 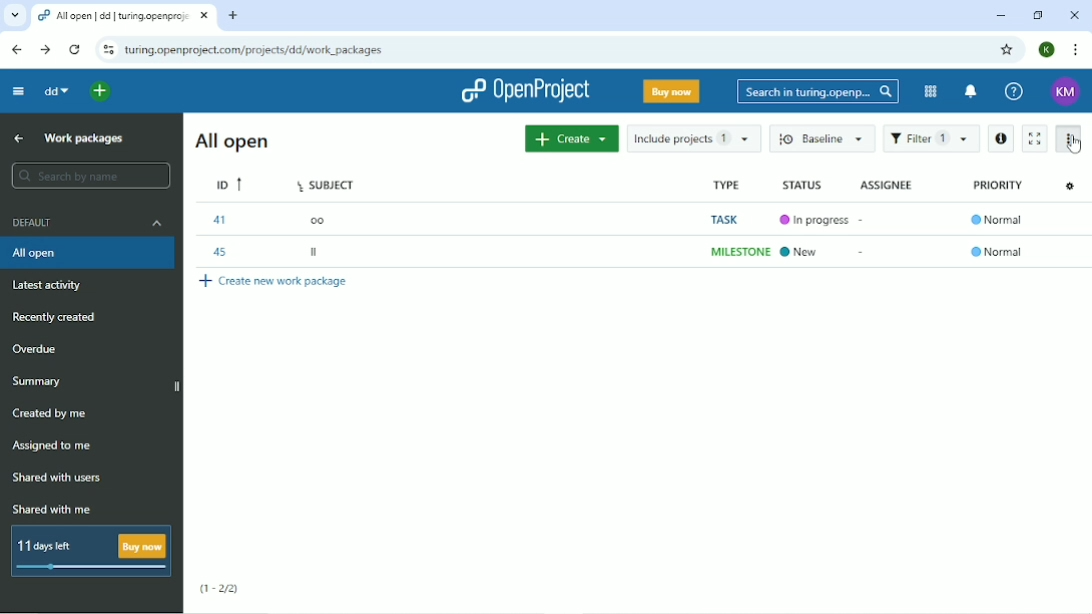 I want to click on cursor, so click(x=1073, y=146).